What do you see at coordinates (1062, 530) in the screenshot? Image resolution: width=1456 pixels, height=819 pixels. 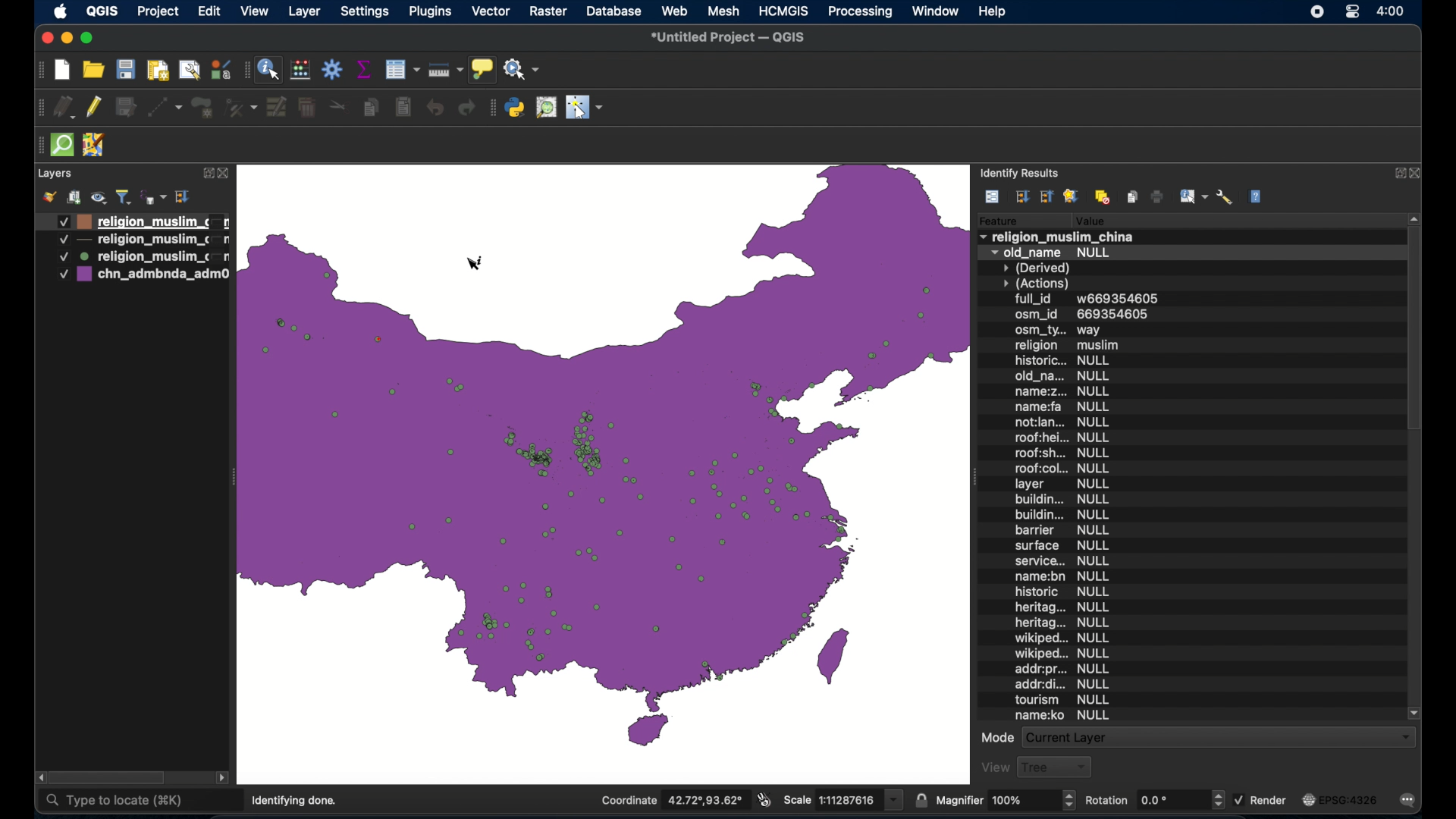 I see `barrier` at bounding box center [1062, 530].